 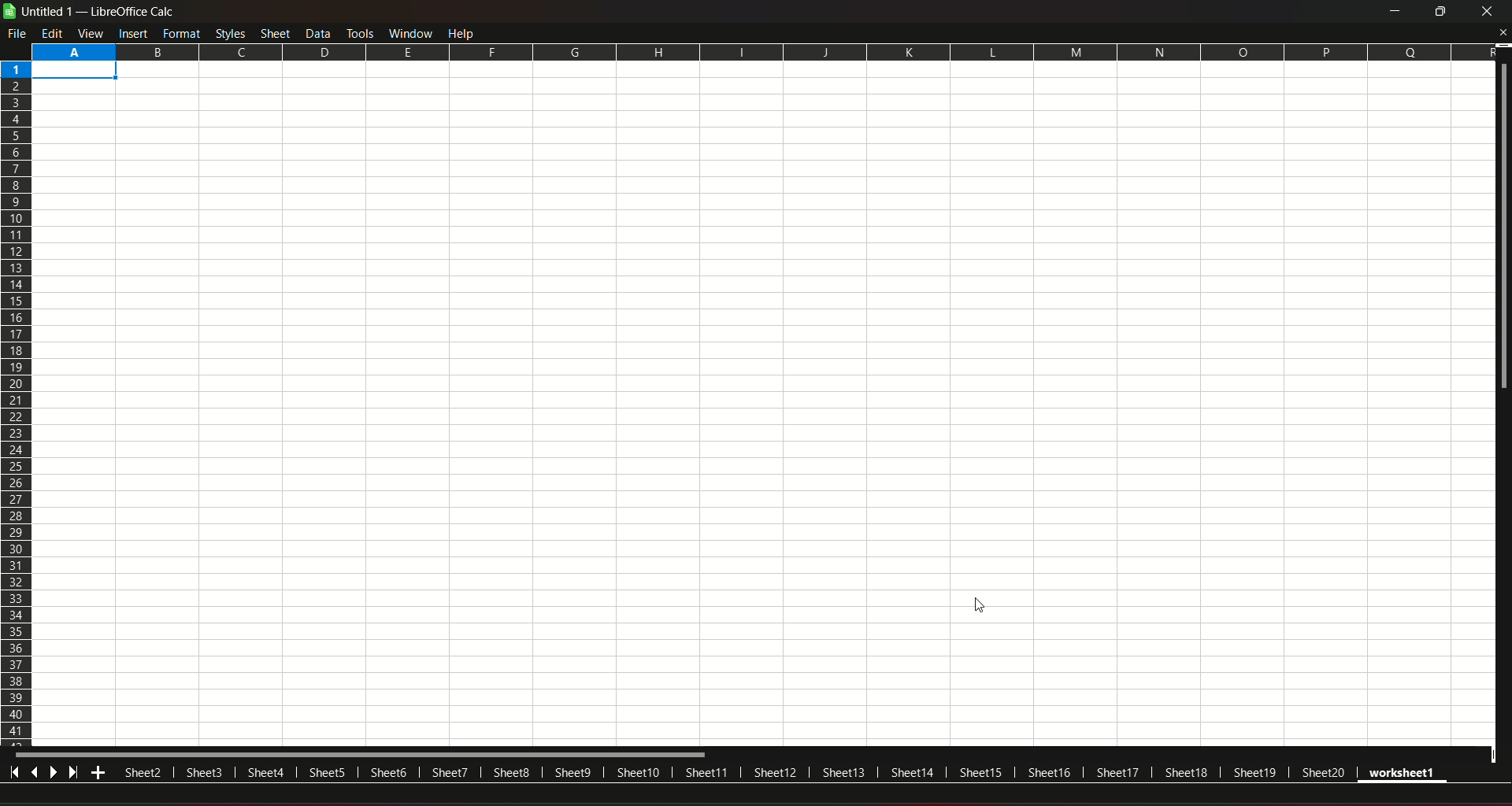 I want to click on next sheet, so click(x=53, y=774).